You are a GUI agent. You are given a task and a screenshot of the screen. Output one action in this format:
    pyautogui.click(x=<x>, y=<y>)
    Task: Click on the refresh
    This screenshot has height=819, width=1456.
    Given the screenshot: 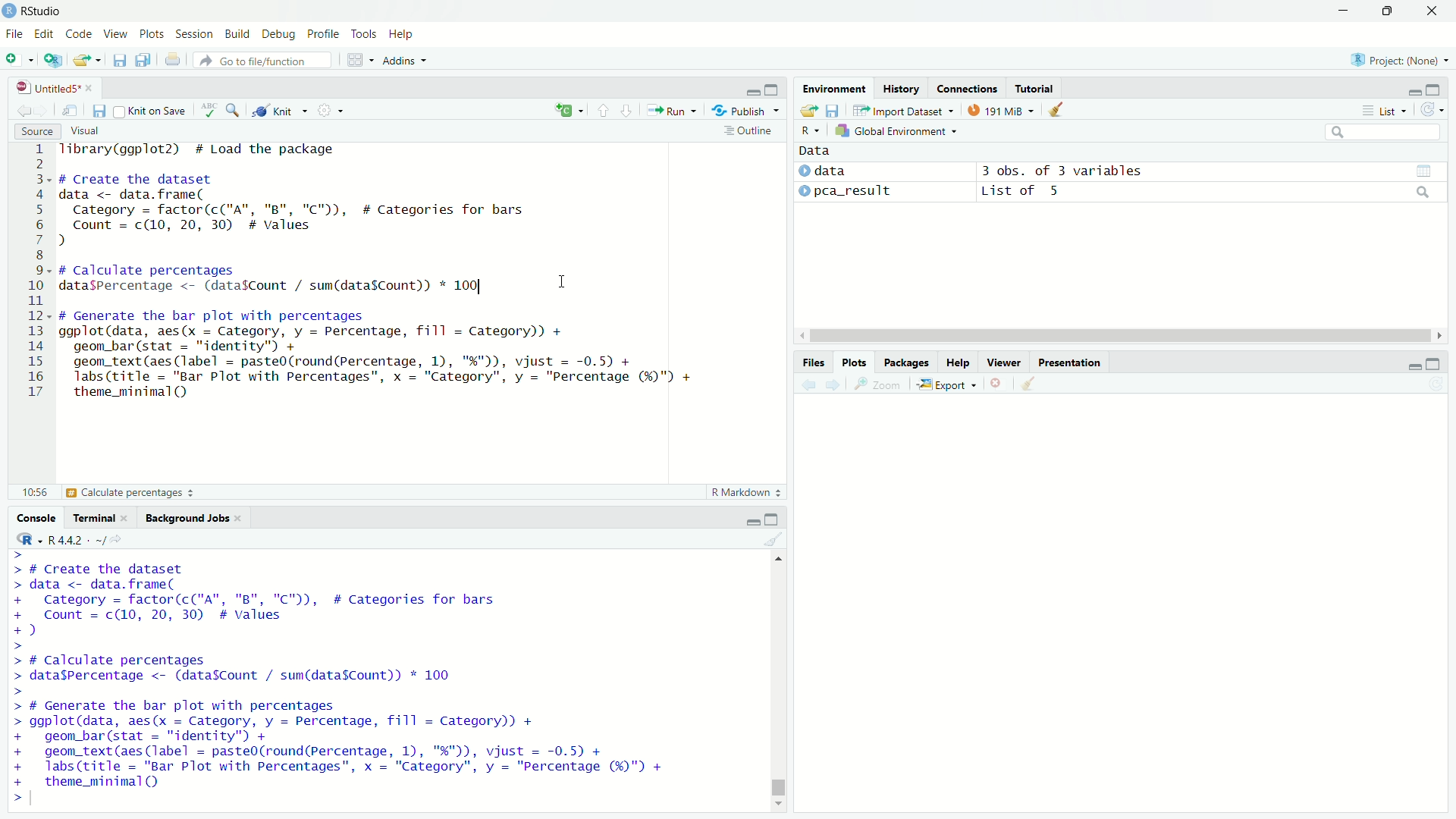 What is the action you would take?
    pyautogui.click(x=1430, y=108)
    